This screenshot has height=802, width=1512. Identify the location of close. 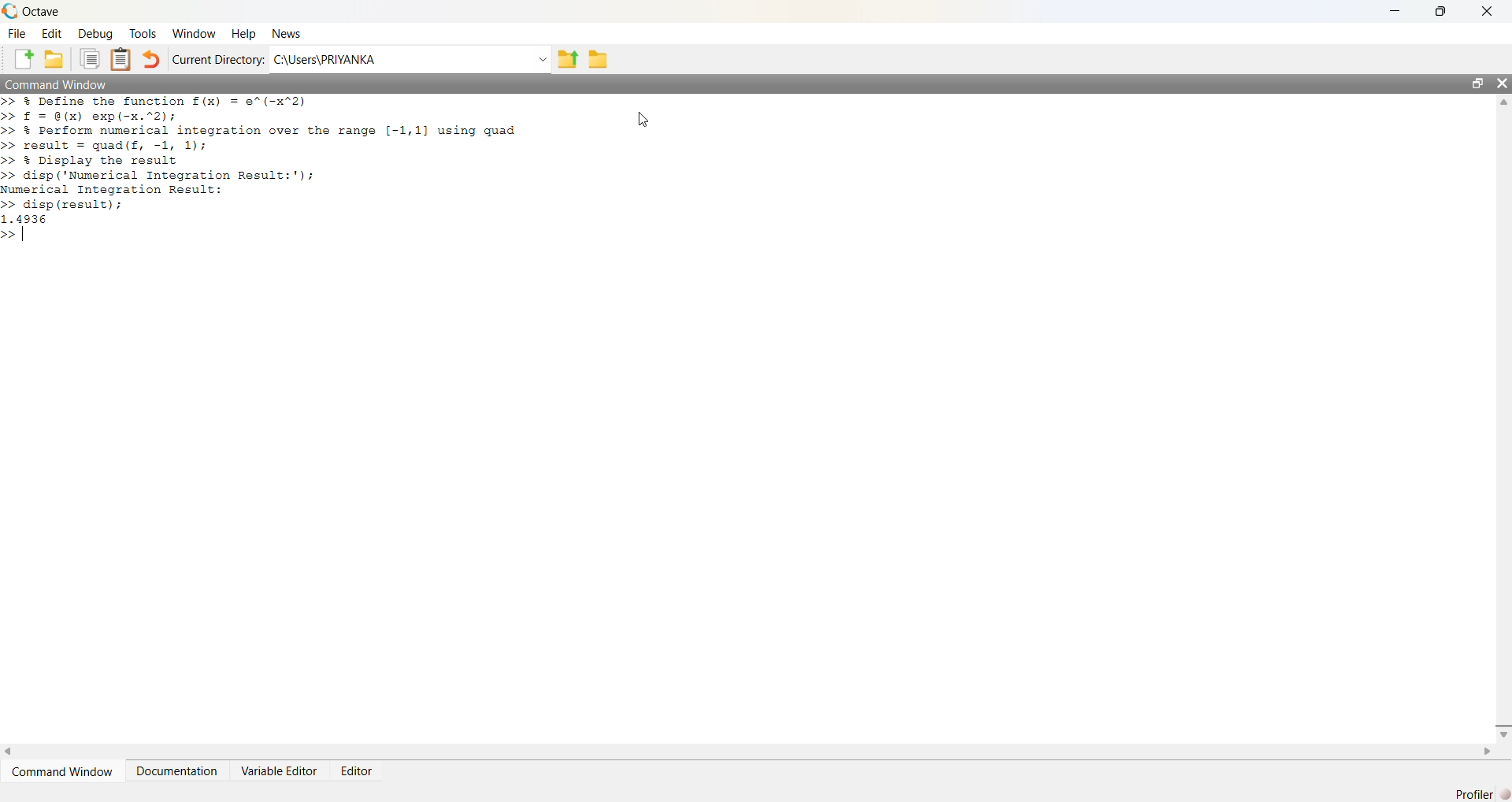
(1488, 11).